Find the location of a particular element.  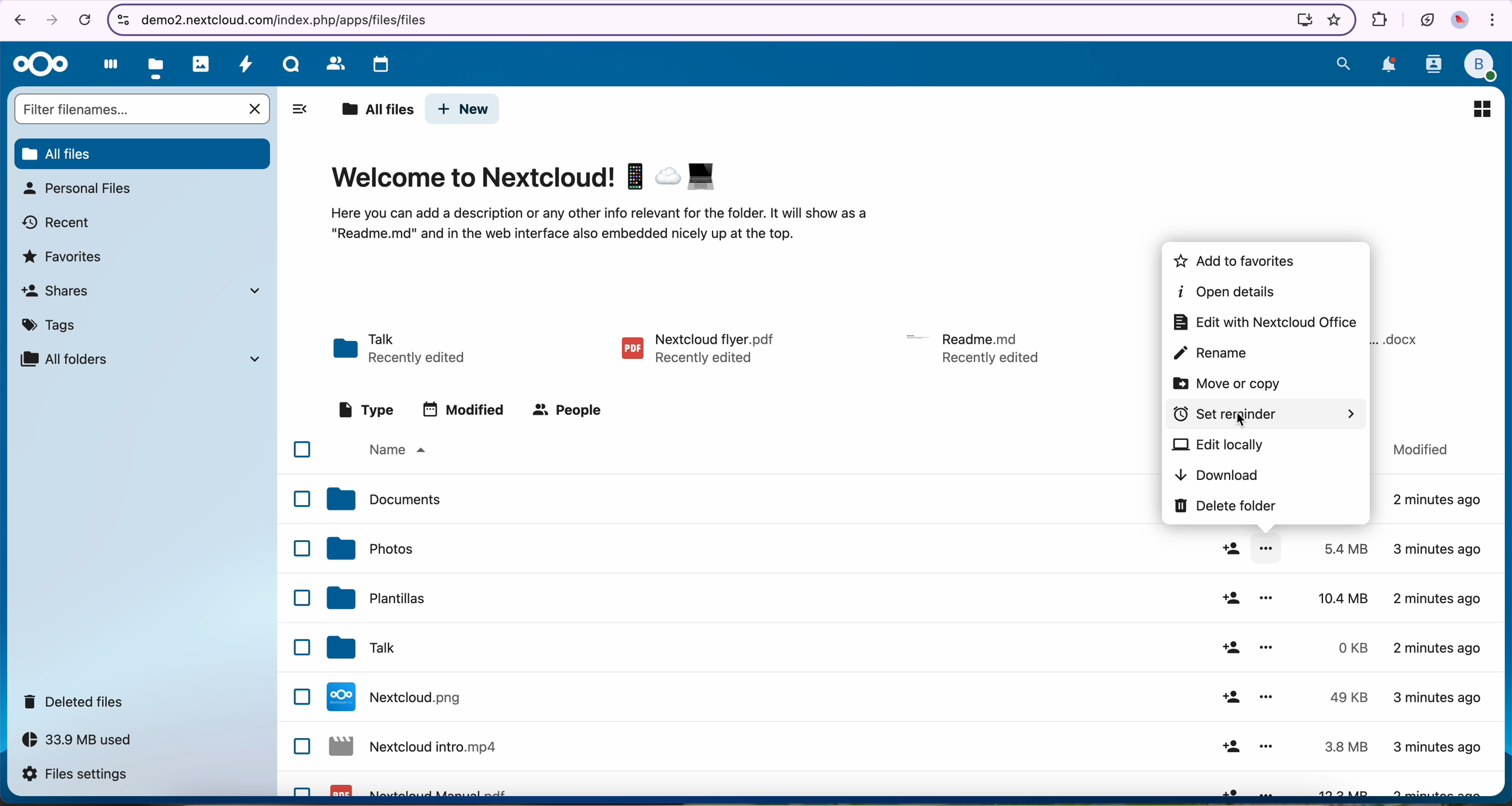

Nextcloud logo is located at coordinates (39, 65).